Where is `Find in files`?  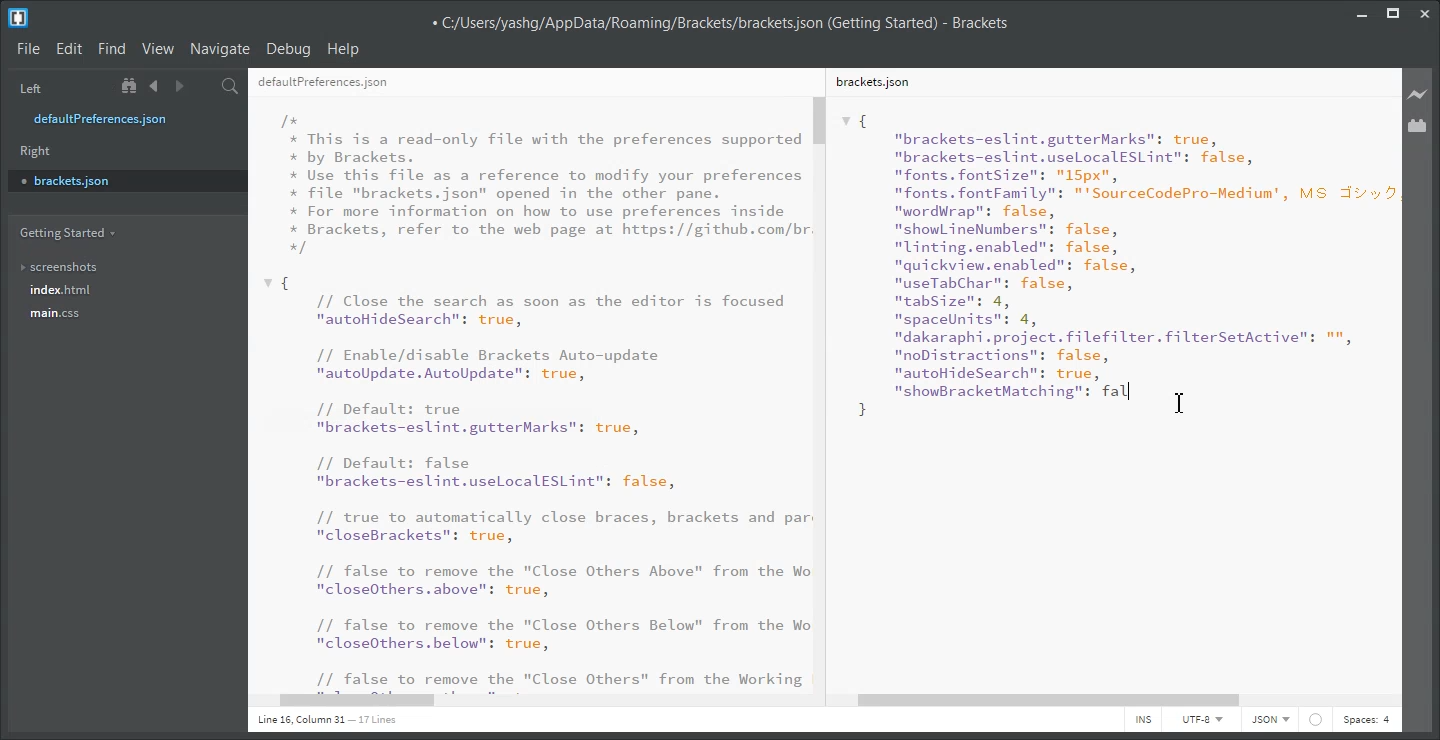 Find in files is located at coordinates (231, 86).